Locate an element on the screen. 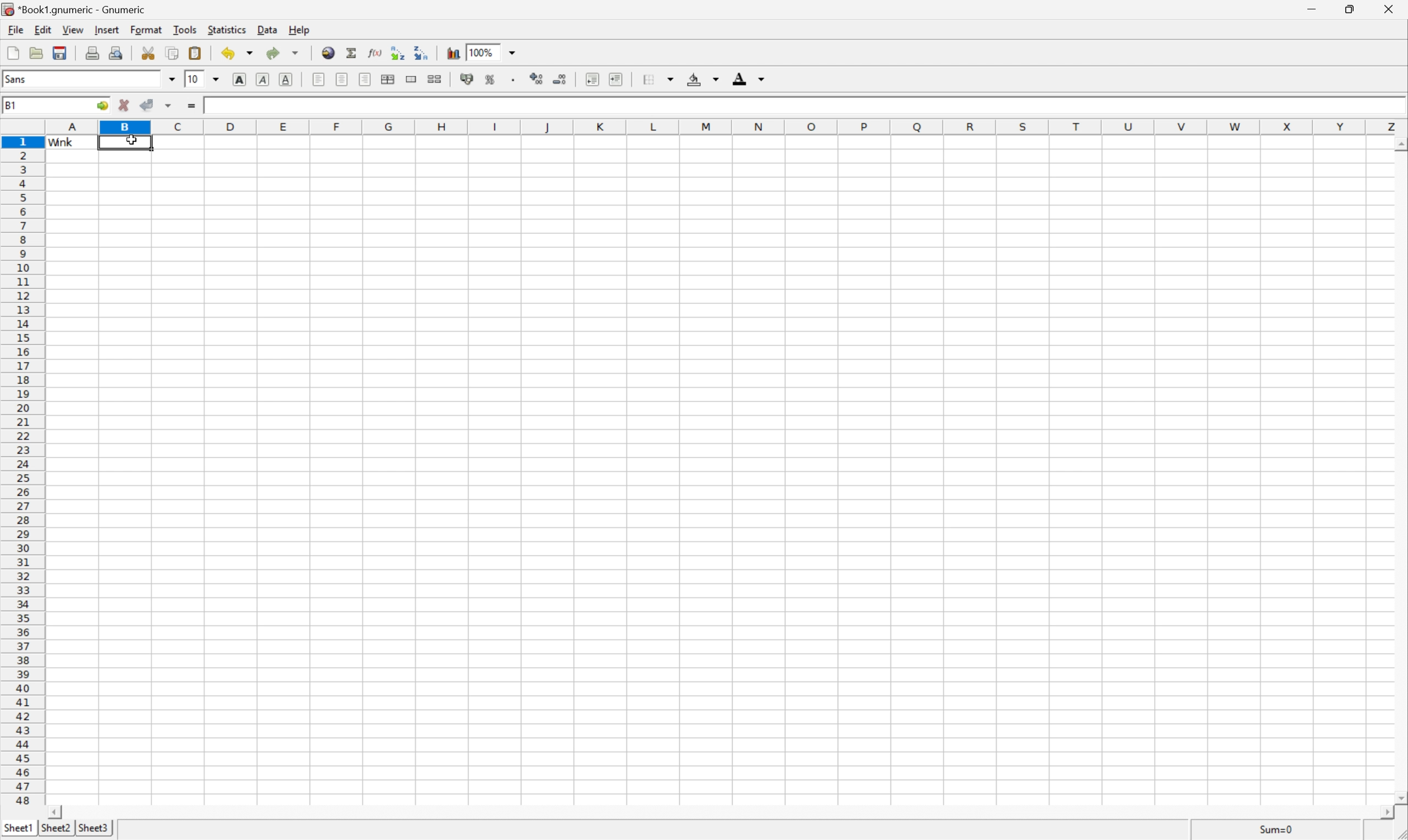 Image resolution: width=1408 pixels, height=840 pixels. undo is located at coordinates (236, 54).